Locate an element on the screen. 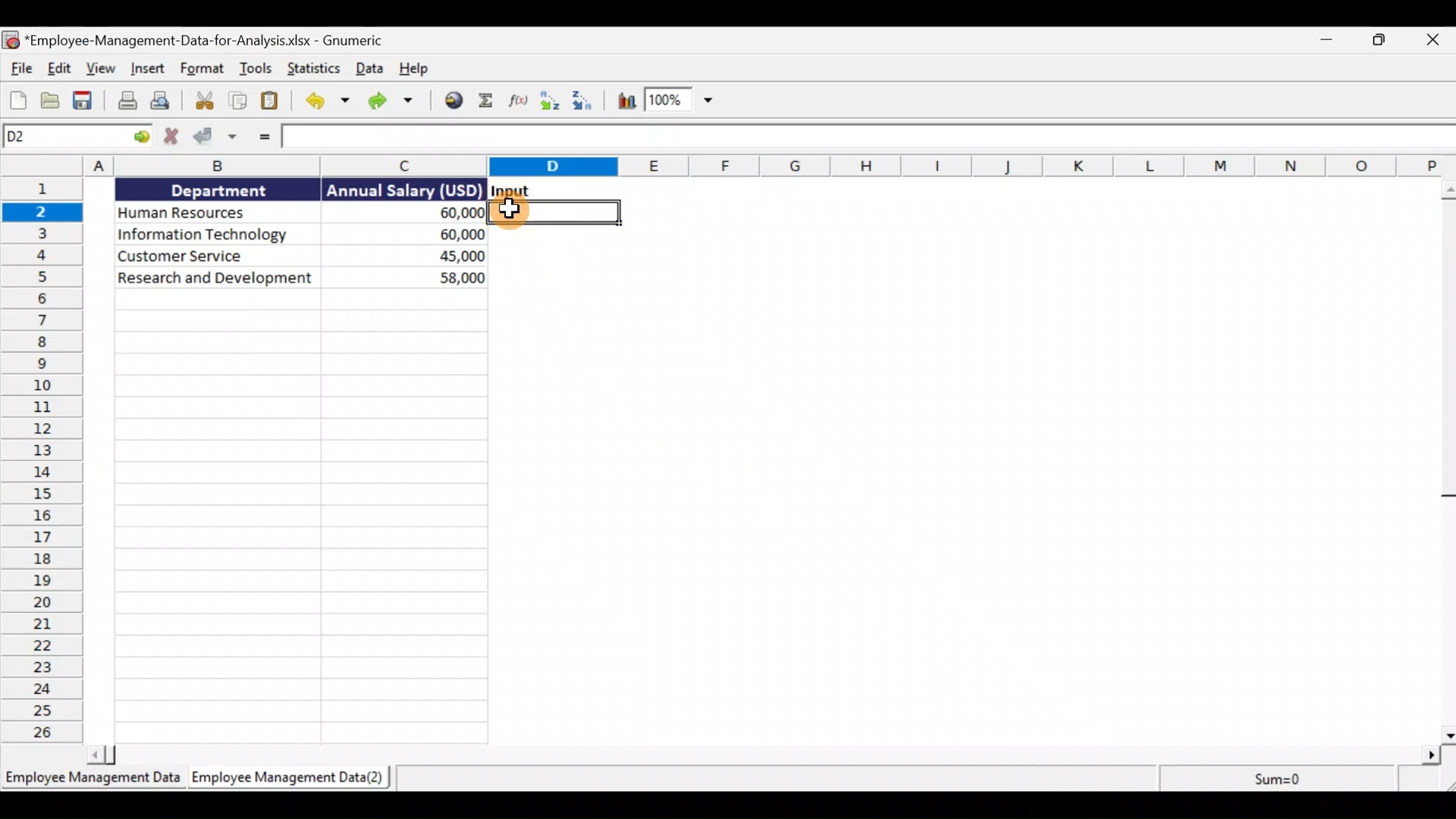 This screenshot has height=819, width=1456. Columns is located at coordinates (731, 164).